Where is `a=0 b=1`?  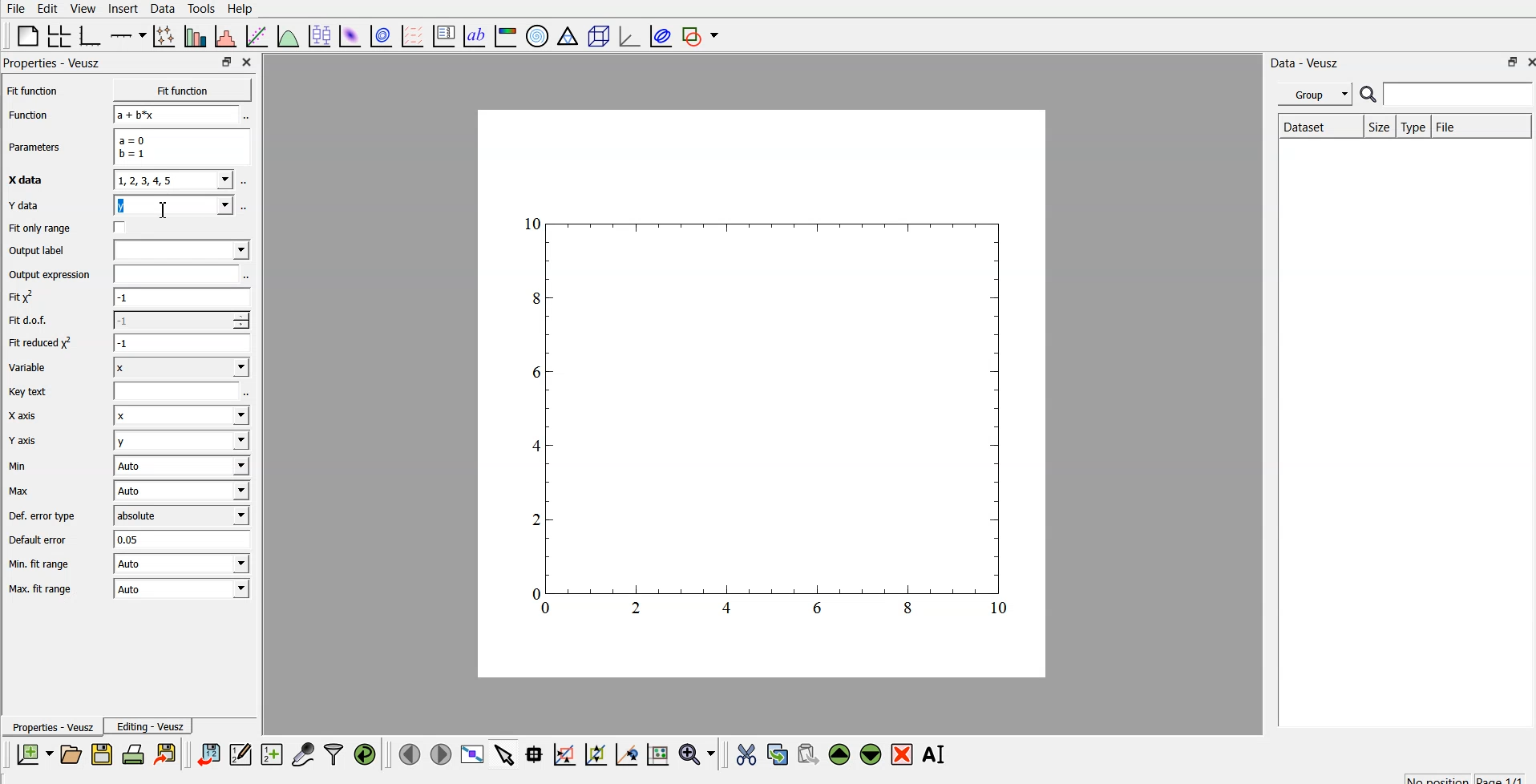
a=0 b=1 is located at coordinates (179, 148).